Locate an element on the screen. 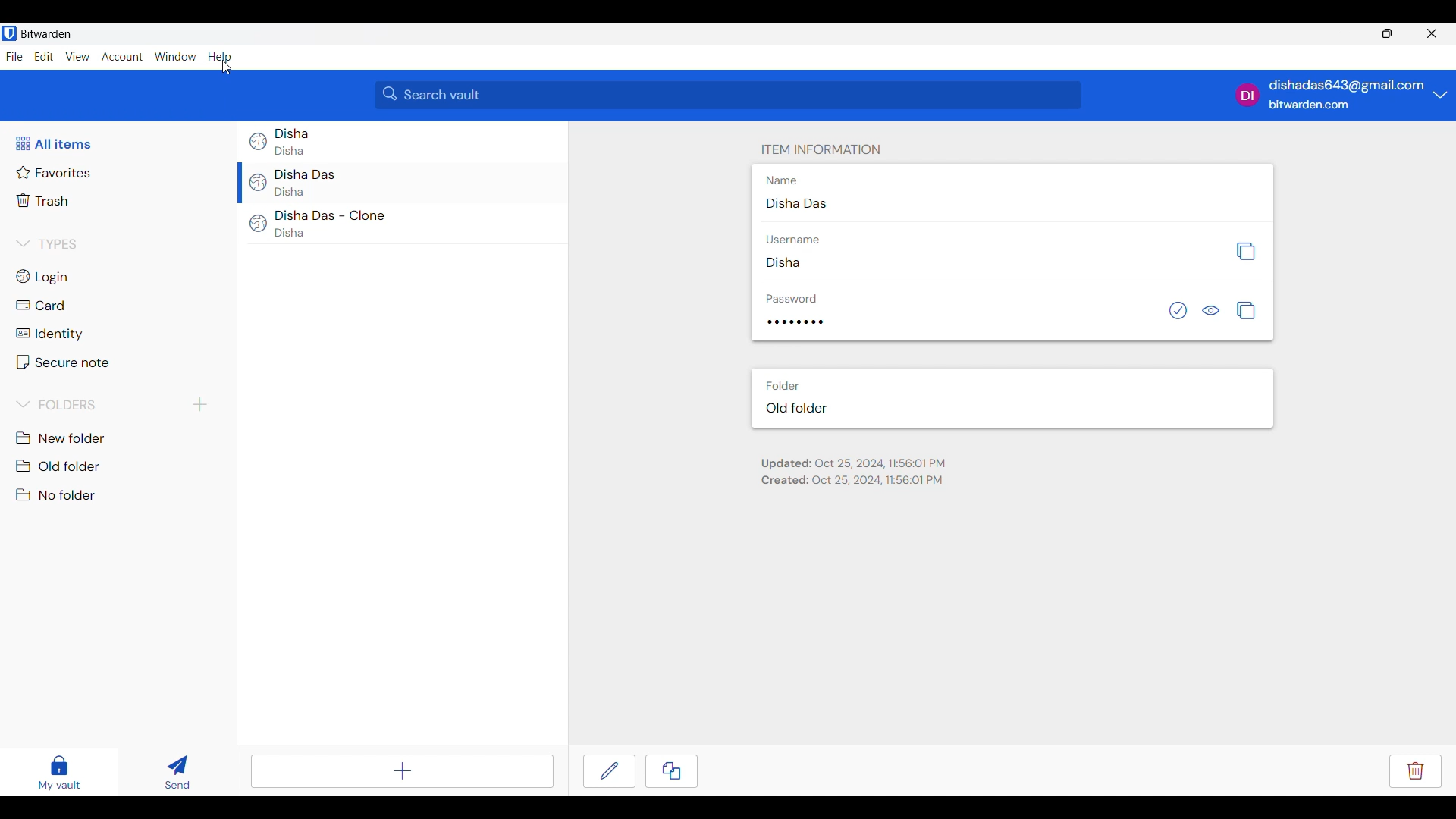 Image resolution: width=1456 pixels, height=819 pixels. Collapse types is located at coordinates (46, 244).